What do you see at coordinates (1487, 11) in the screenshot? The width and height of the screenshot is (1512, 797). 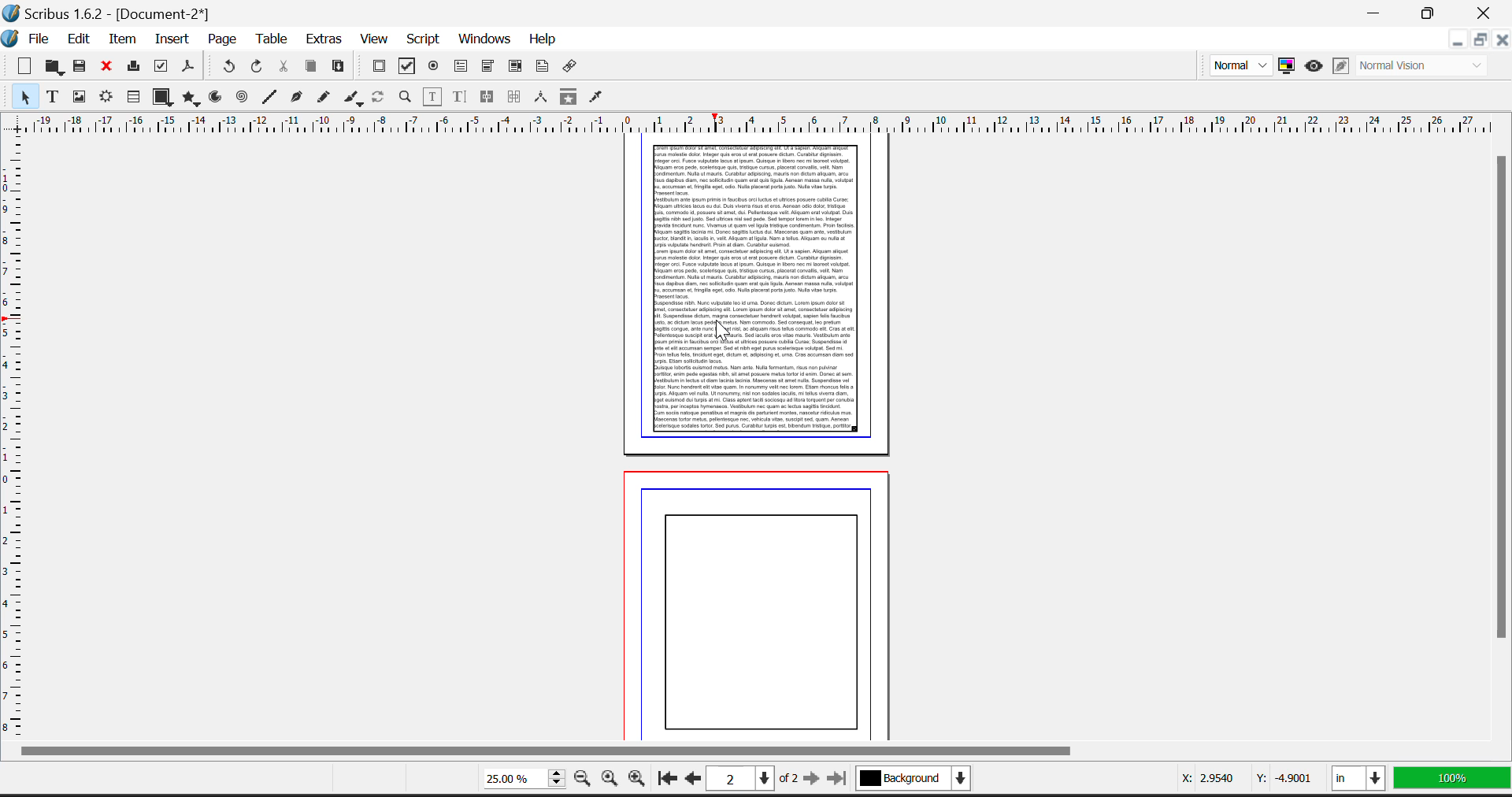 I see `Close` at bounding box center [1487, 11].